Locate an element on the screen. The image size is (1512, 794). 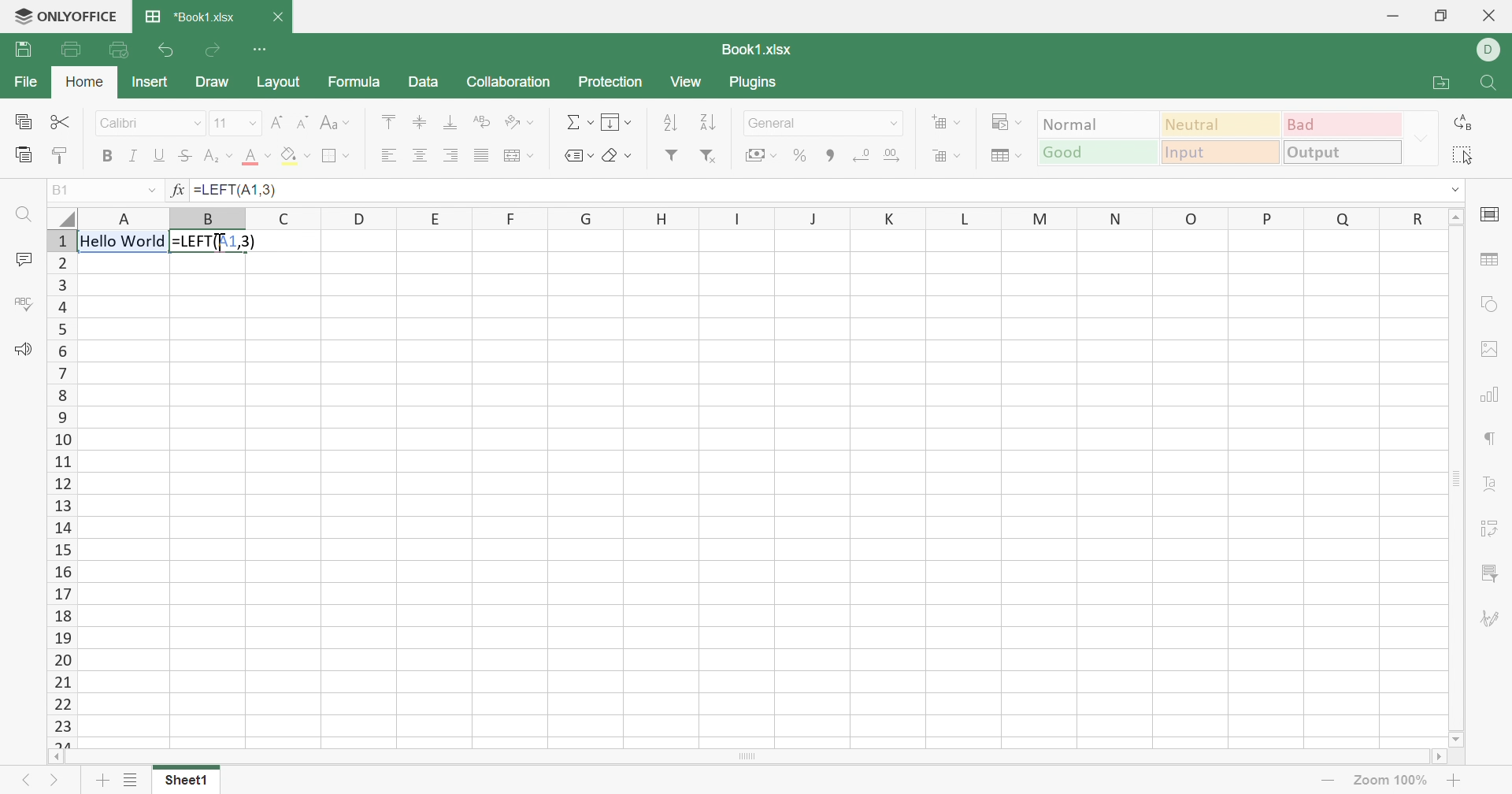
View is located at coordinates (689, 82).